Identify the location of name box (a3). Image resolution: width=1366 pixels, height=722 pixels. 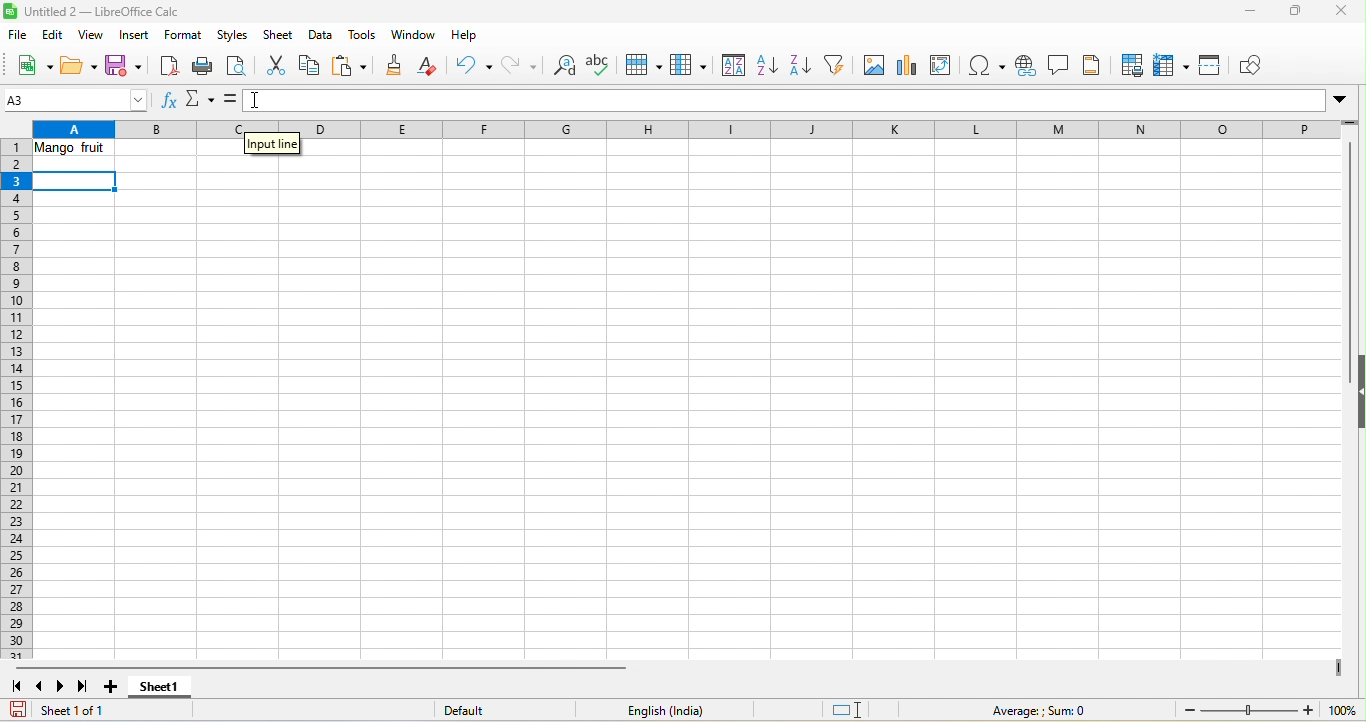
(77, 100).